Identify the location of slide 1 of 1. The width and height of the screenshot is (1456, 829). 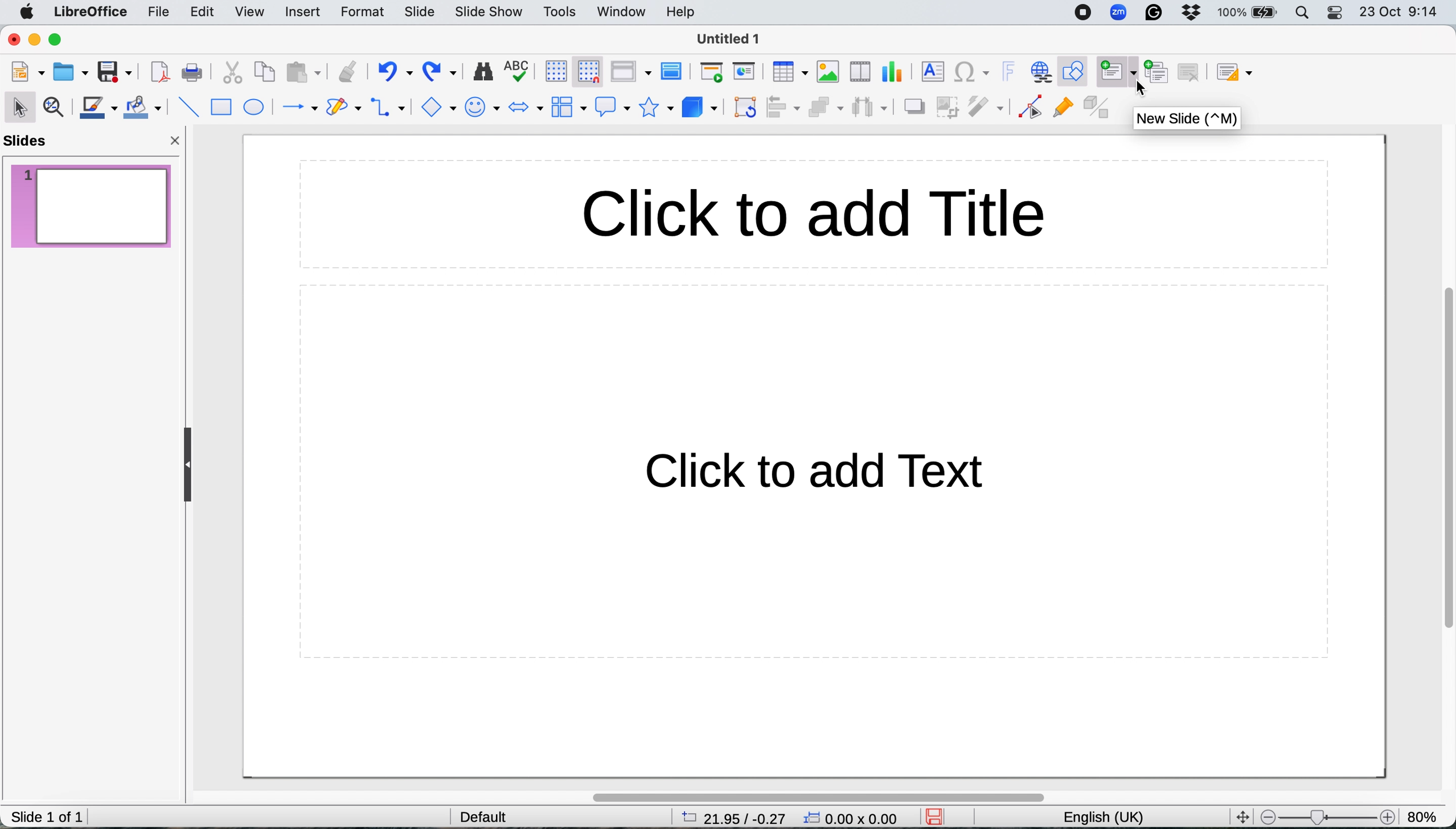
(47, 816).